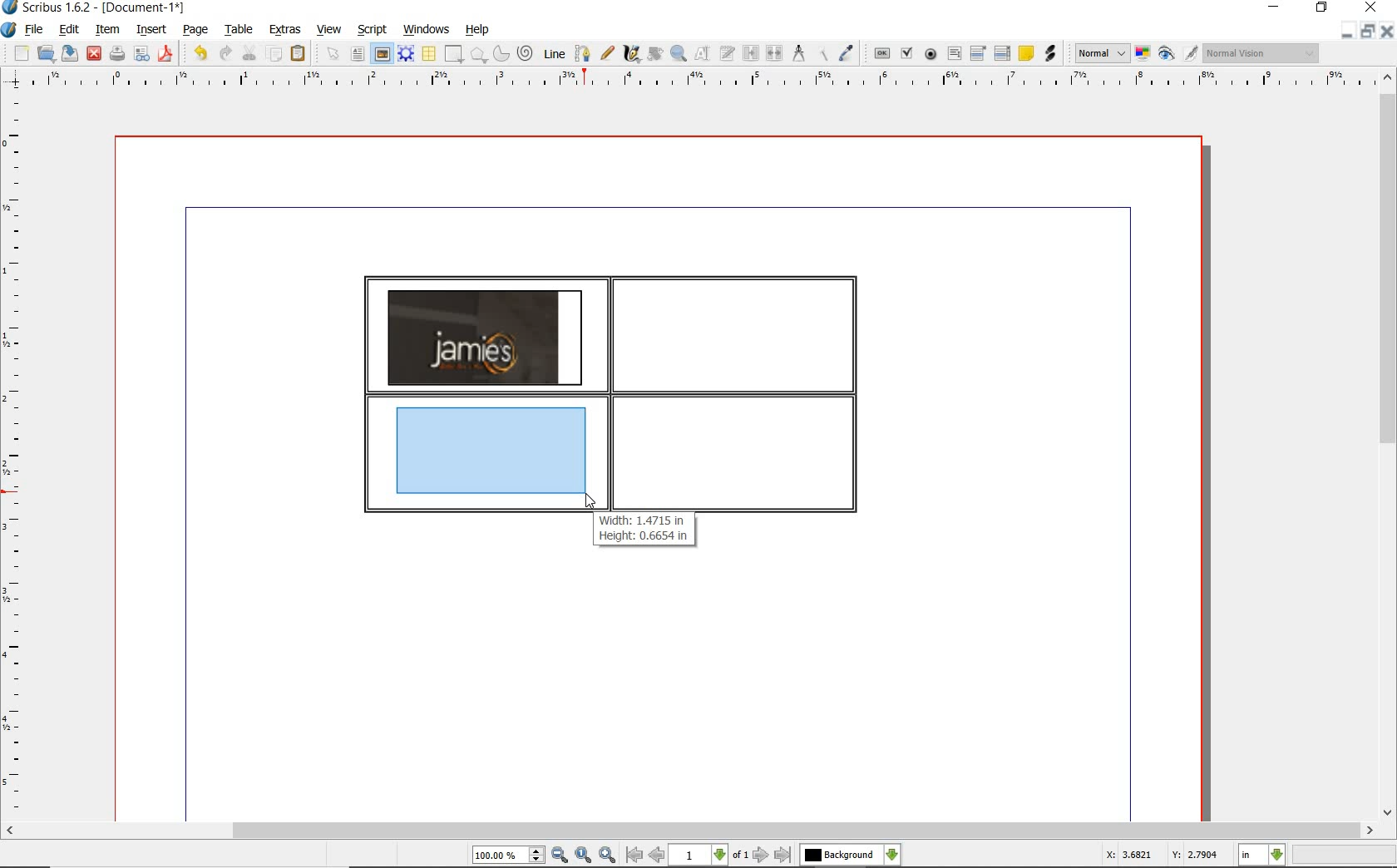 The width and height of the screenshot is (1397, 868). Describe the element at coordinates (1144, 55) in the screenshot. I see `toggle color management system` at that location.